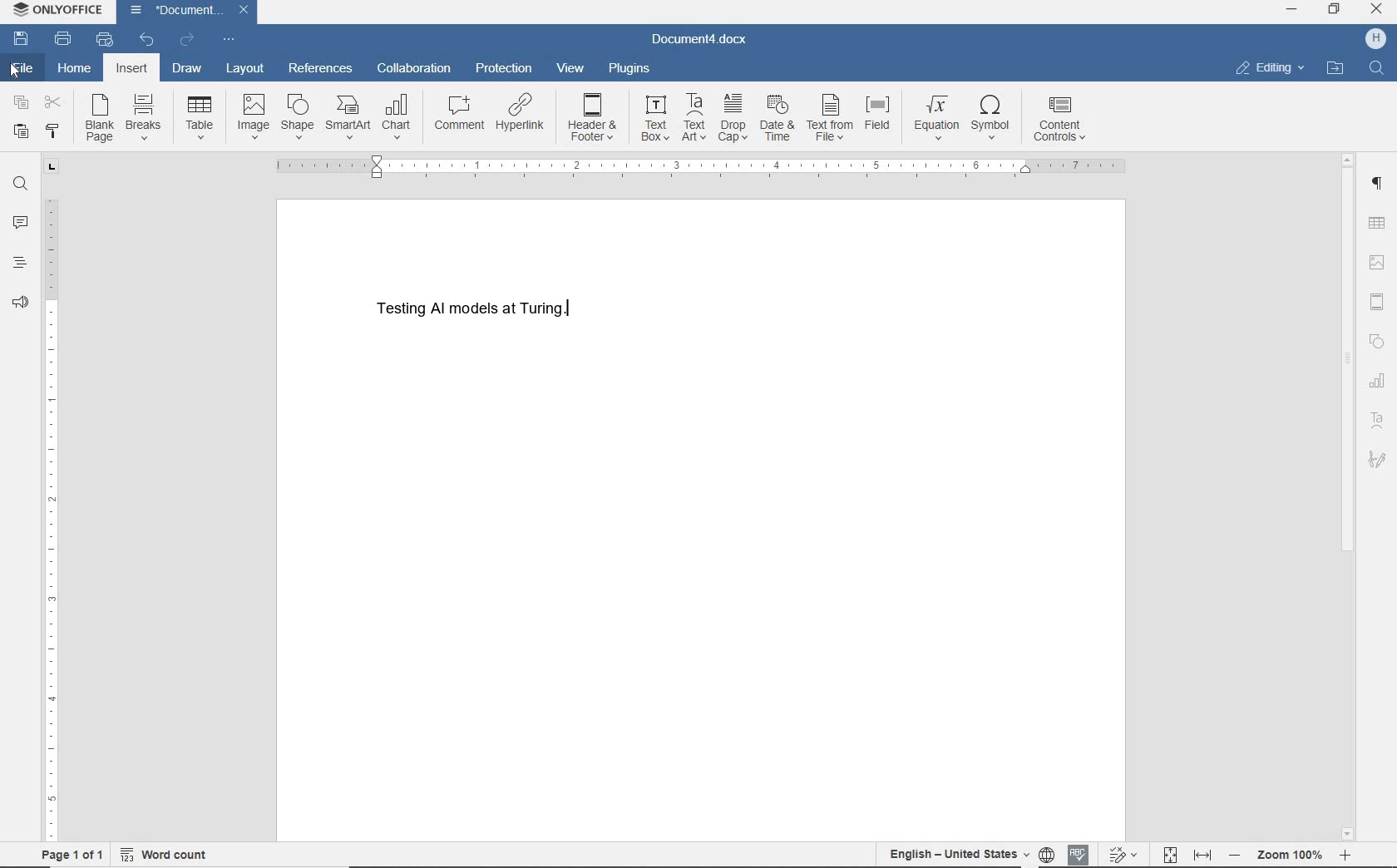  I want to click on print file, so click(62, 42).